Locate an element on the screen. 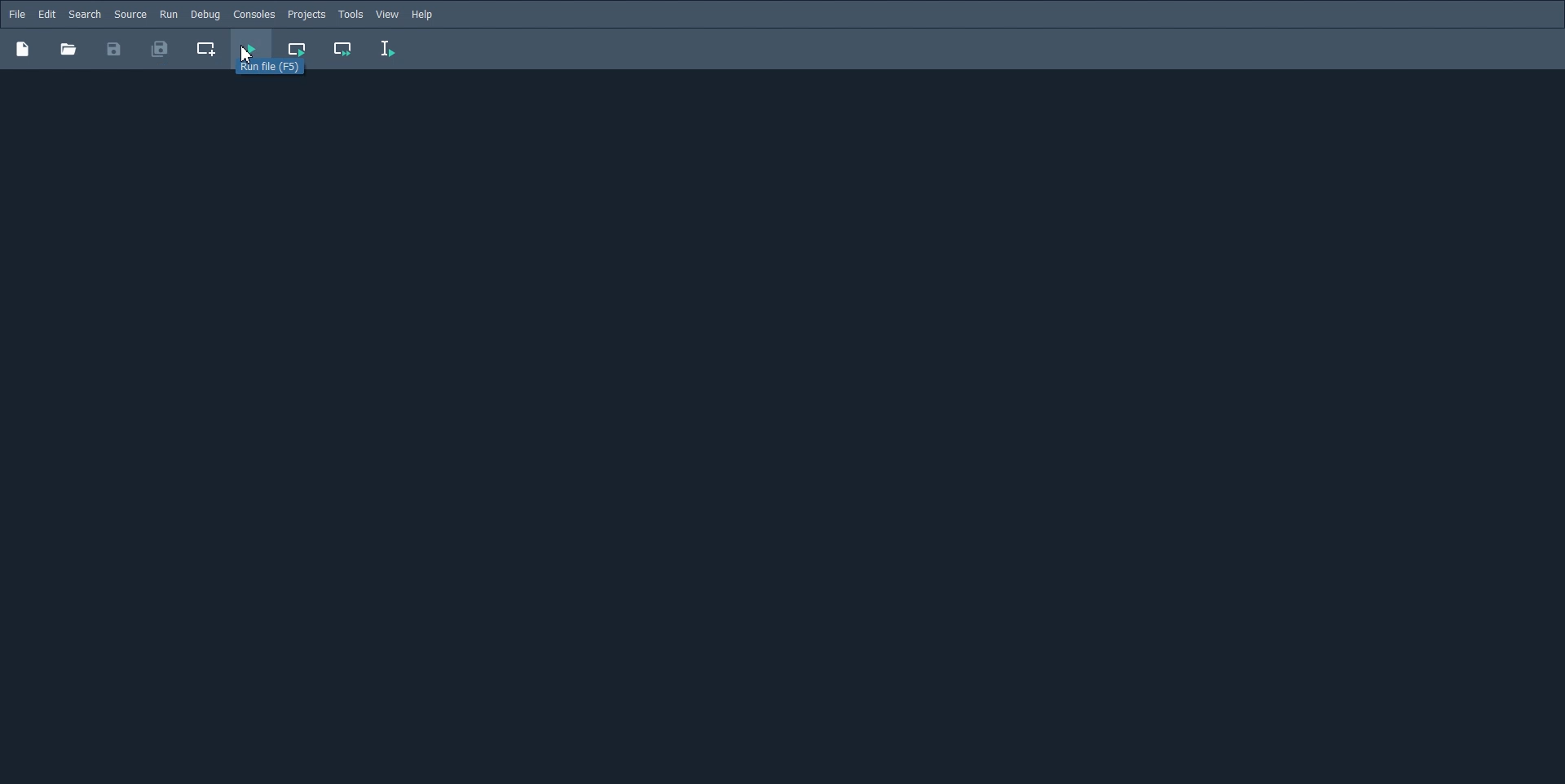 The width and height of the screenshot is (1565, 784). Cursor is located at coordinates (245, 54).